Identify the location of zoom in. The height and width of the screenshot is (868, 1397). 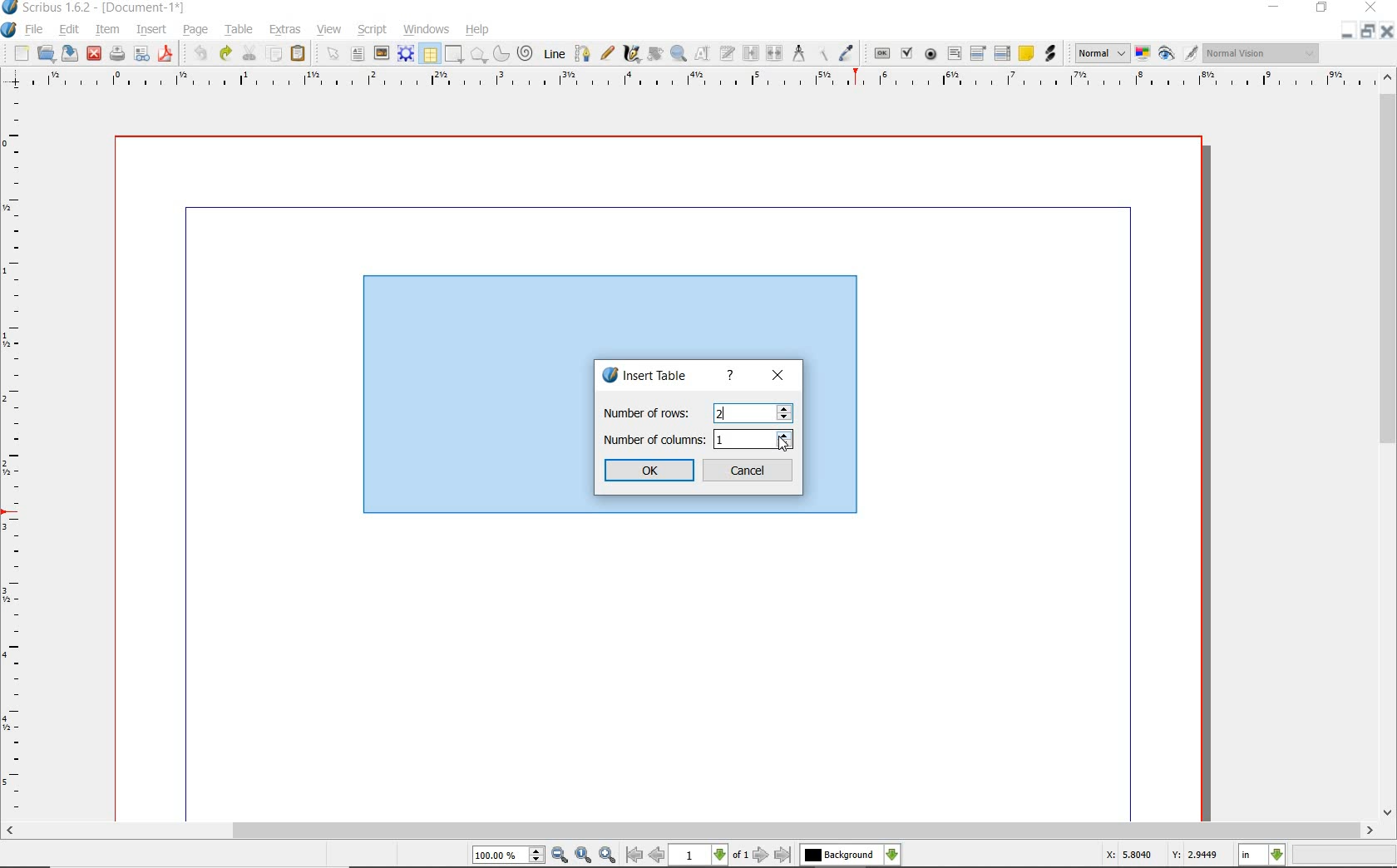
(608, 856).